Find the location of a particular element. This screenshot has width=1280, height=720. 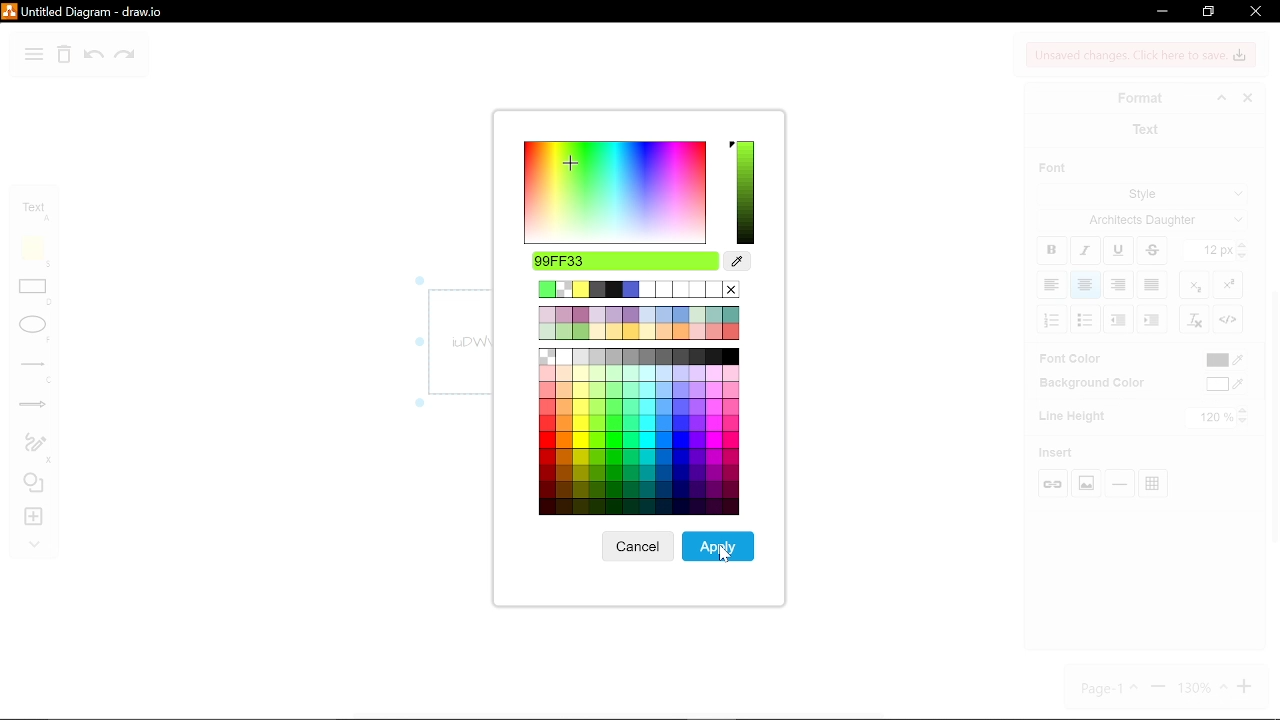

close is located at coordinates (1255, 11).